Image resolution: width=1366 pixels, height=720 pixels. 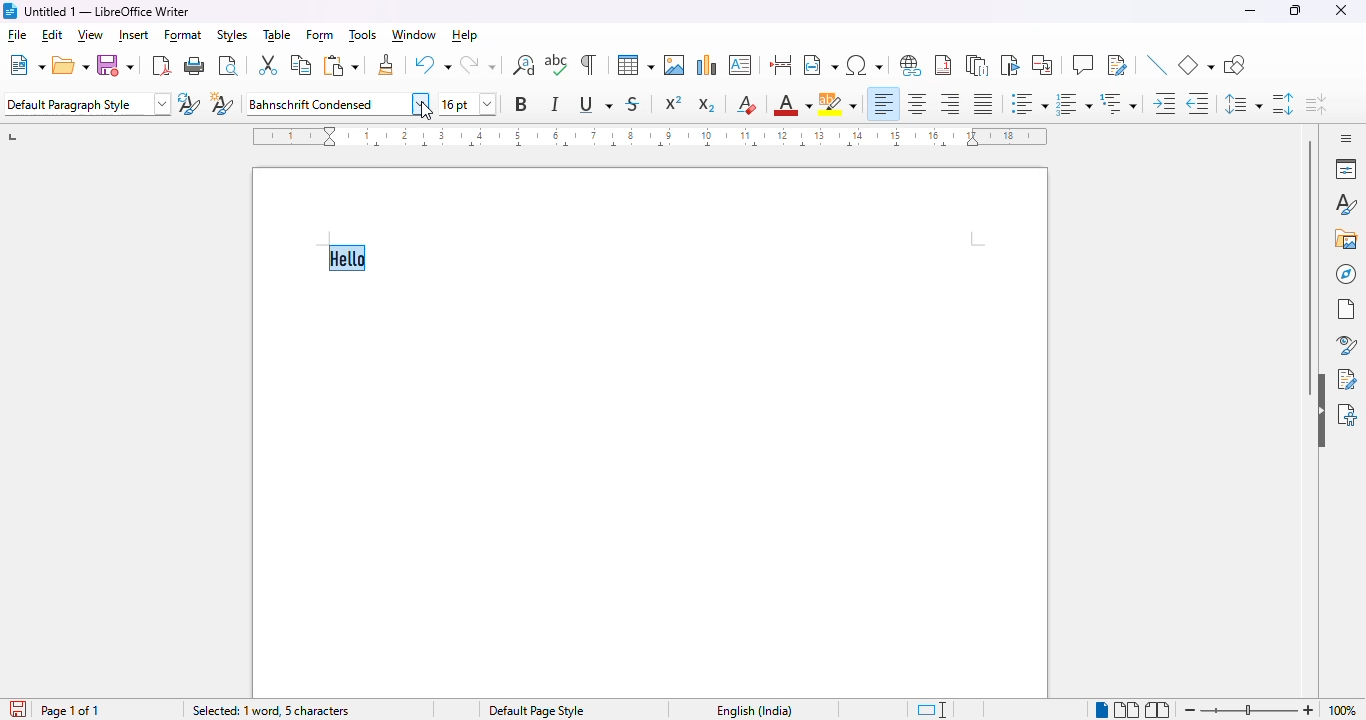 I want to click on font size, so click(x=468, y=104).